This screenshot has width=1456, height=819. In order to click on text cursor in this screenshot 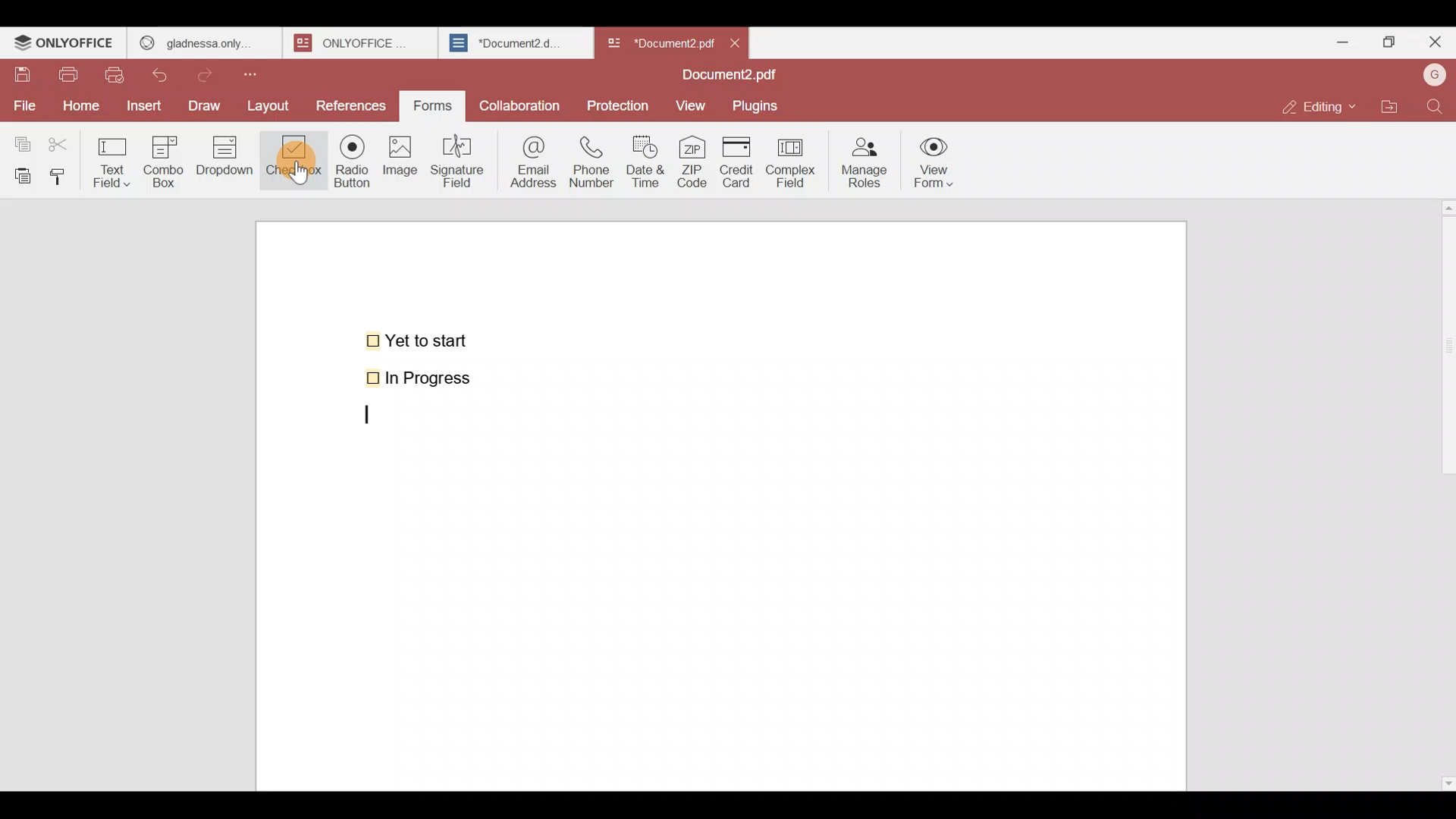, I will do `click(367, 415)`.